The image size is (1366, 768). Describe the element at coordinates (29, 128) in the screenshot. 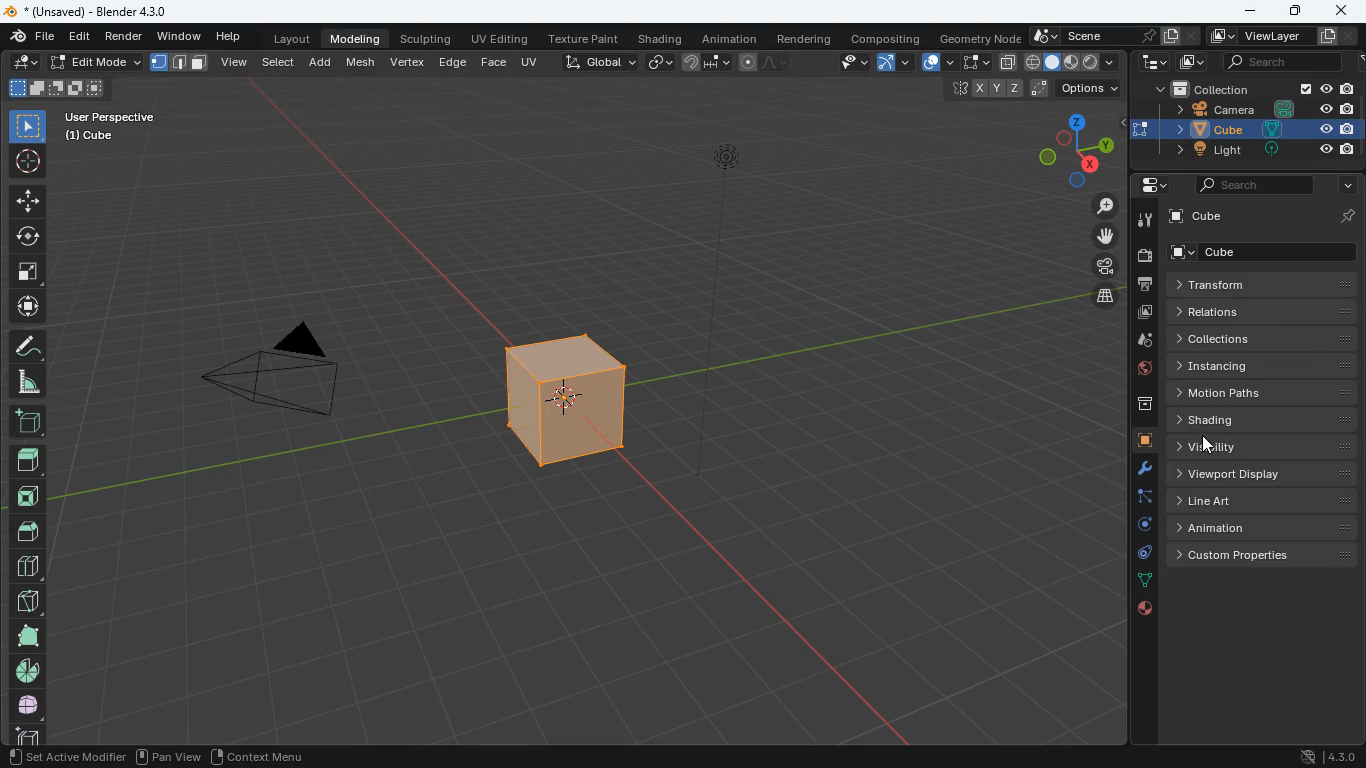

I see `select` at that location.